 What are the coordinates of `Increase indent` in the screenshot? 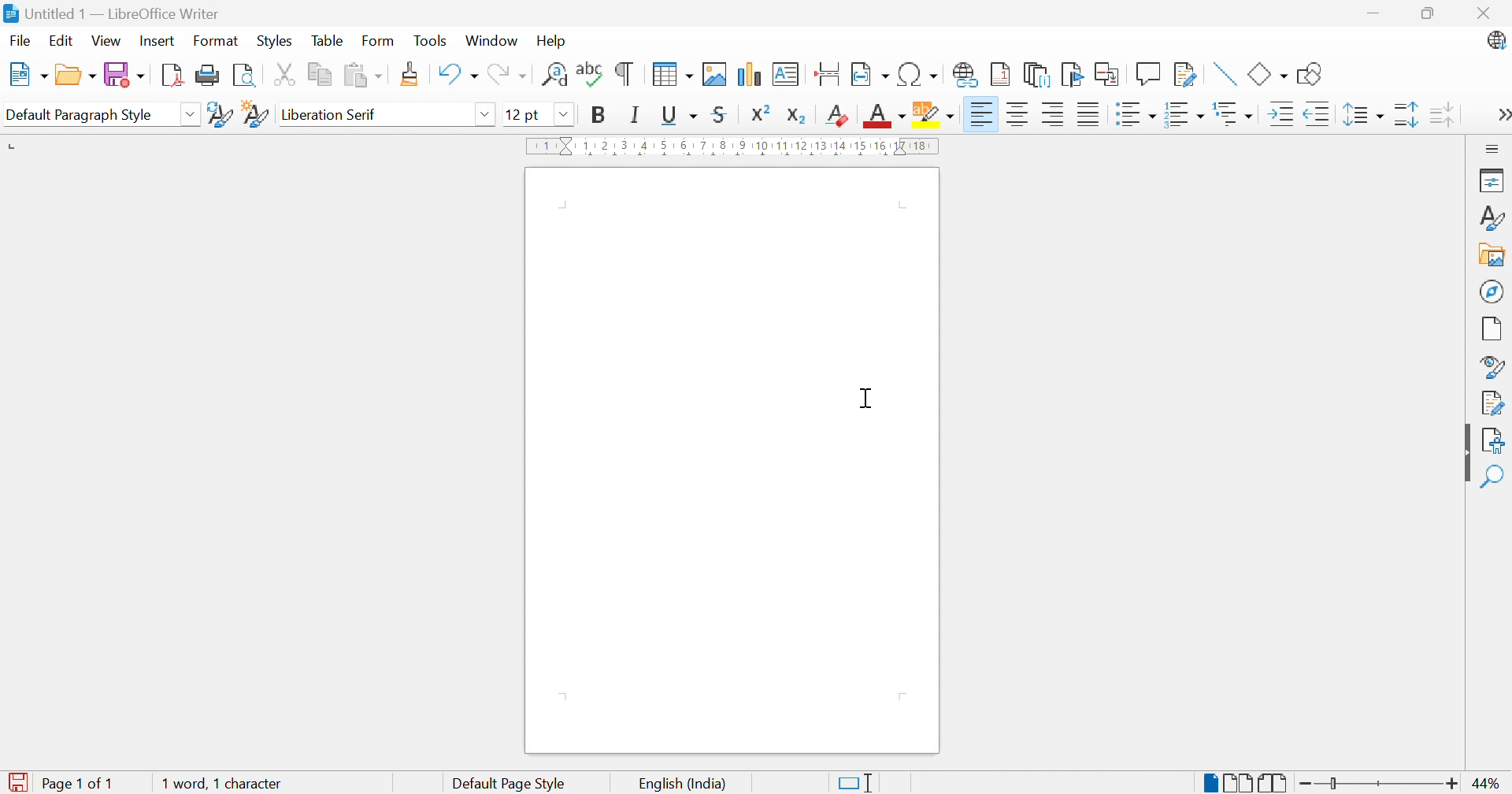 It's located at (1284, 113).